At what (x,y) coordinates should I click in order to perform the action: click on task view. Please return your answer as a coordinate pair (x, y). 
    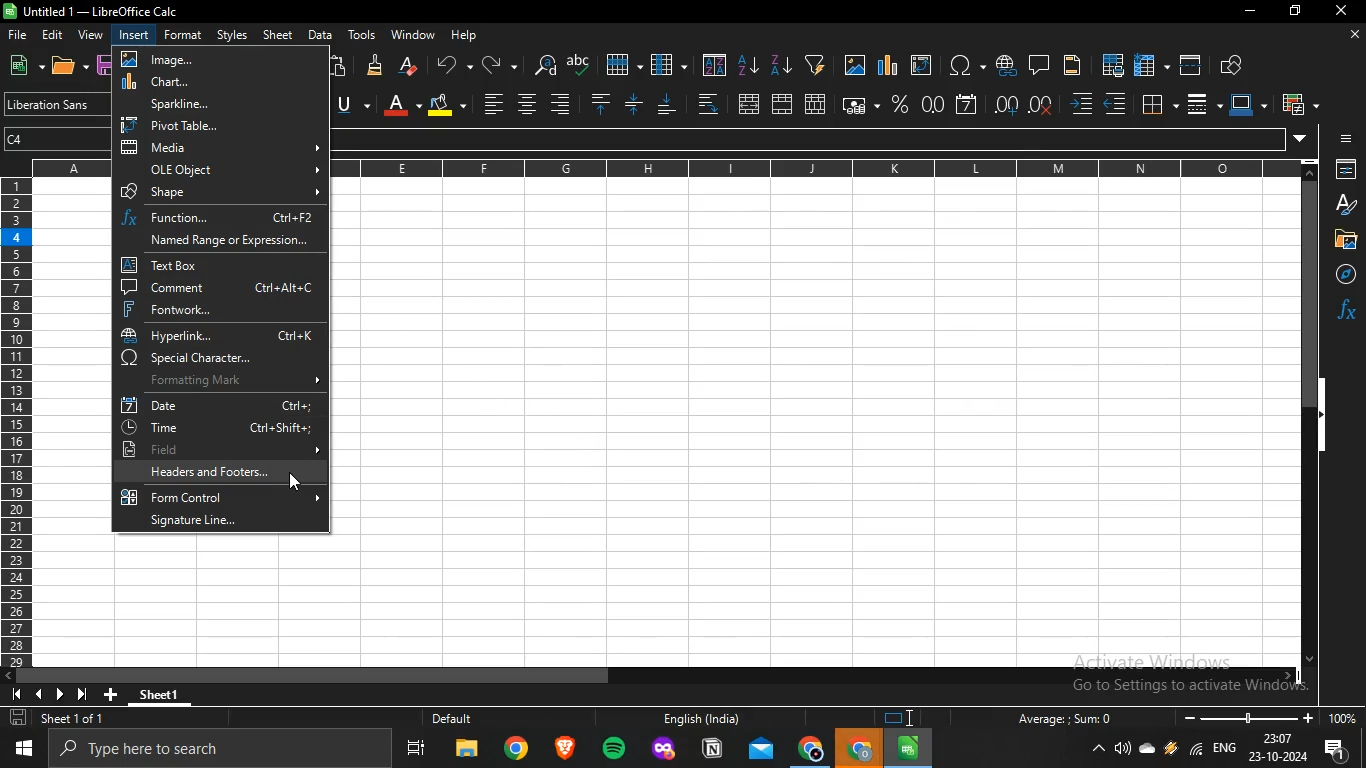
    Looking at the image, I should click on (417, 752).